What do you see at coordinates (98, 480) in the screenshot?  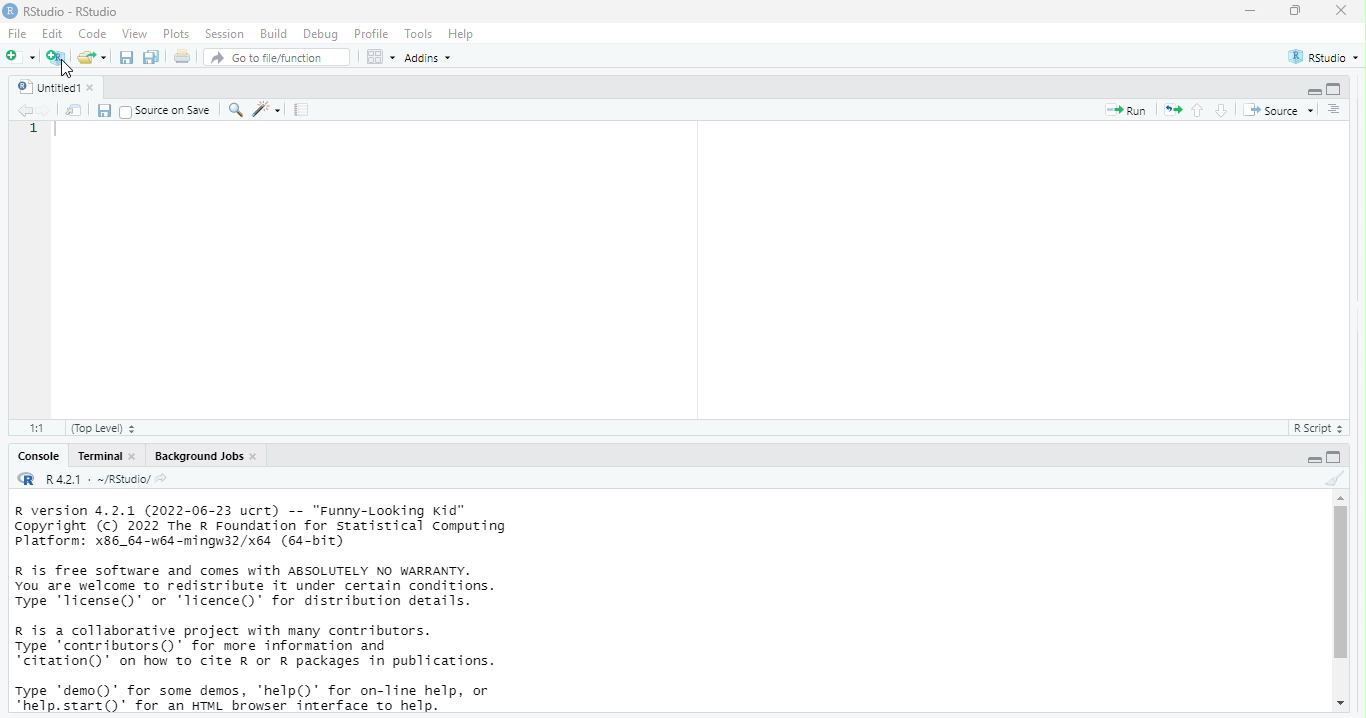 I see `R 4.2.1 . ~/RStudio` at bounding box center [98, 480].